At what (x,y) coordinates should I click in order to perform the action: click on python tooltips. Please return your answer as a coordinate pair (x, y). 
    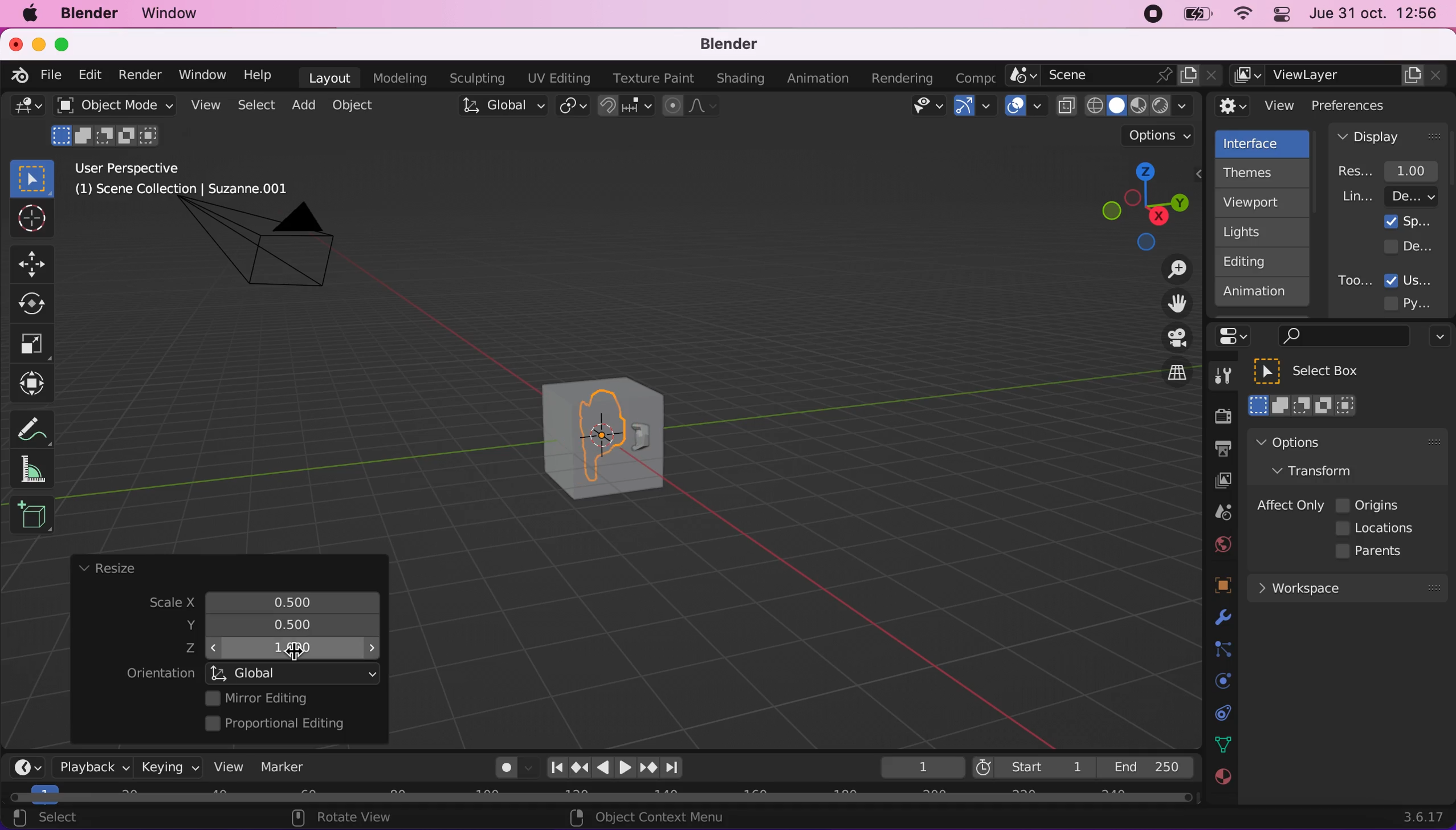
    Looking at the image, I should click on (1421, 302).